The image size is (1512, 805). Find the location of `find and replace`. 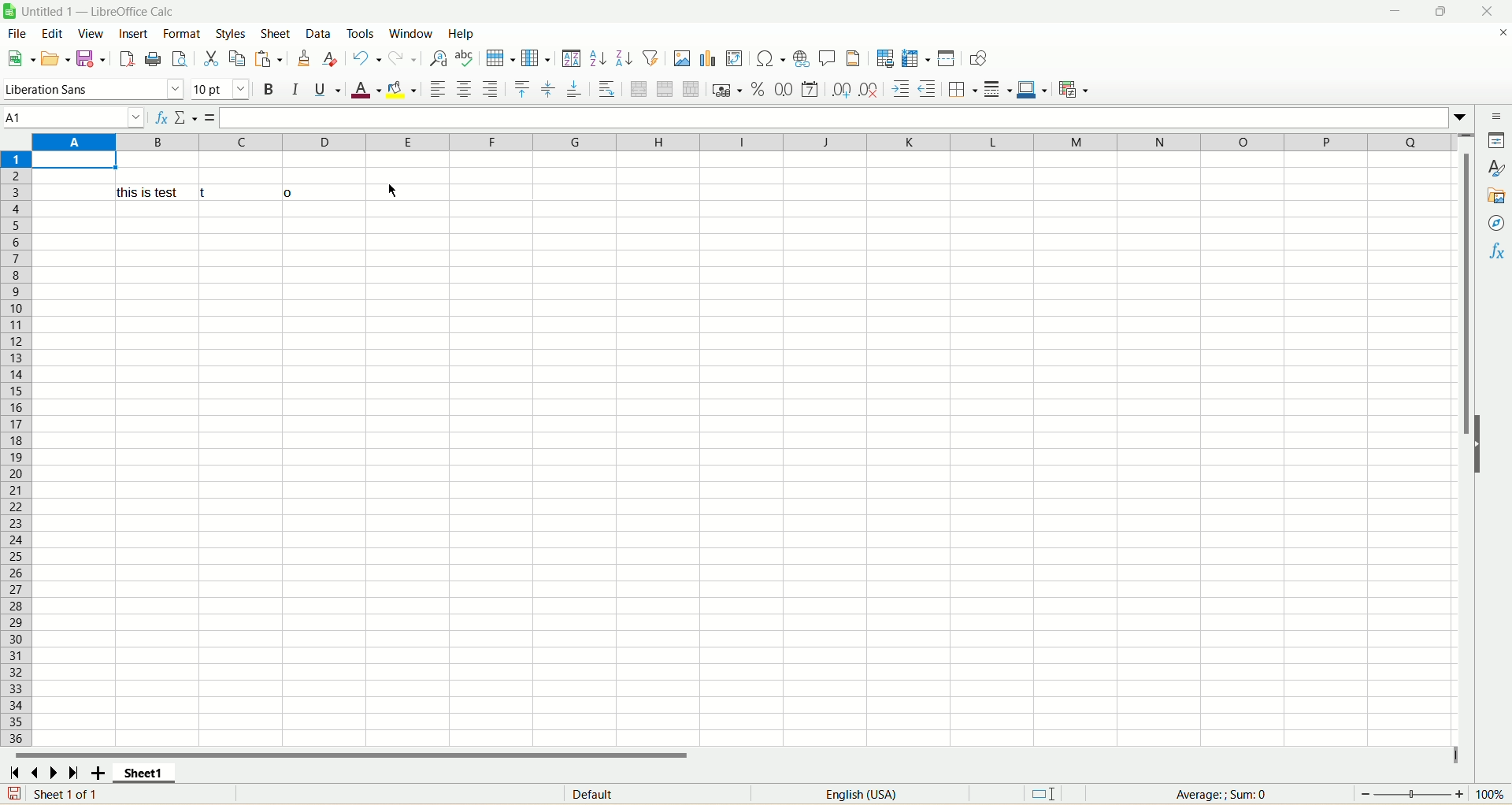

find and replace is located at coordinates (437, 57).